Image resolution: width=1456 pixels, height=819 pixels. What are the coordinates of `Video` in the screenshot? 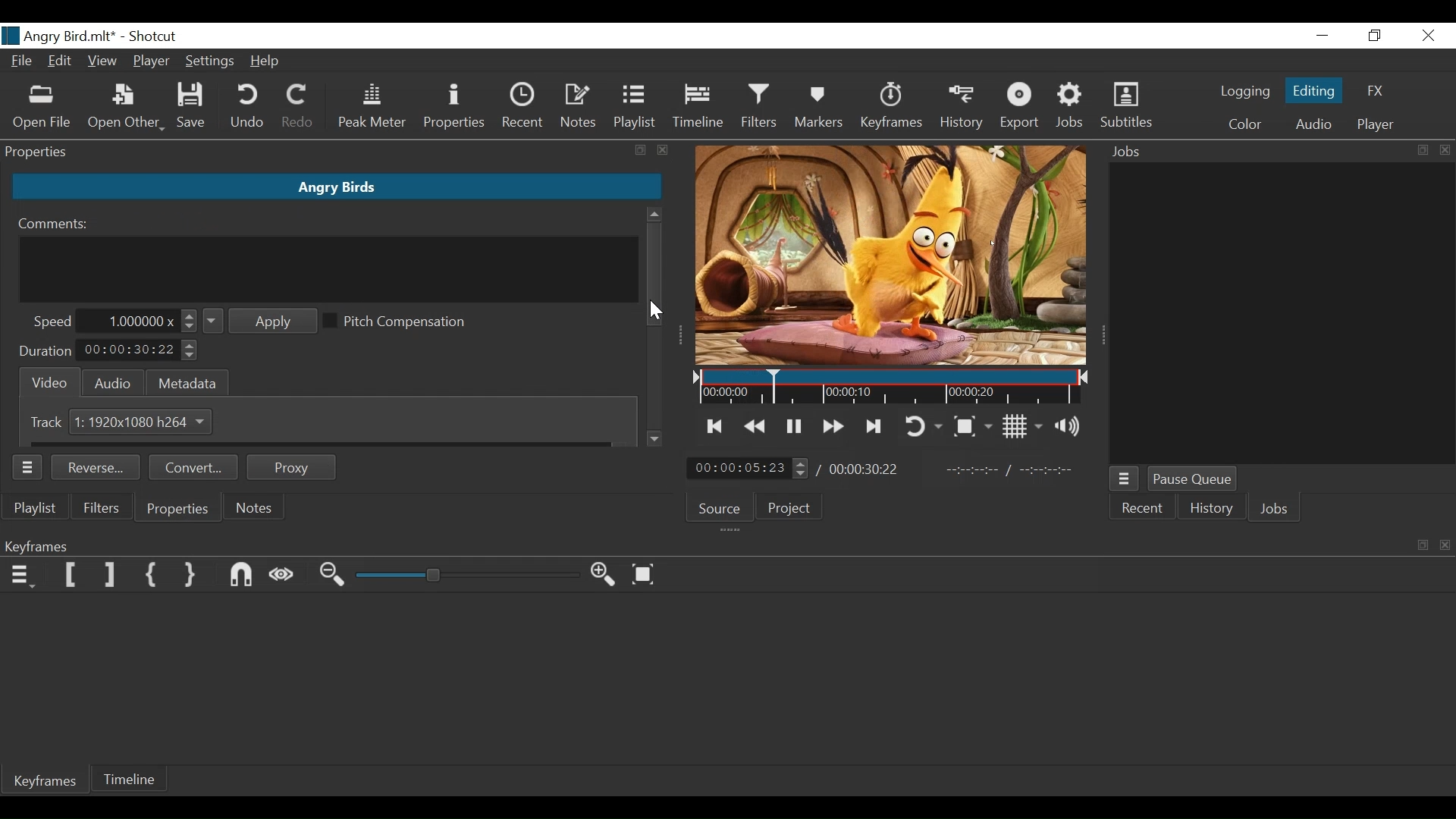 It's located at (47, 378).